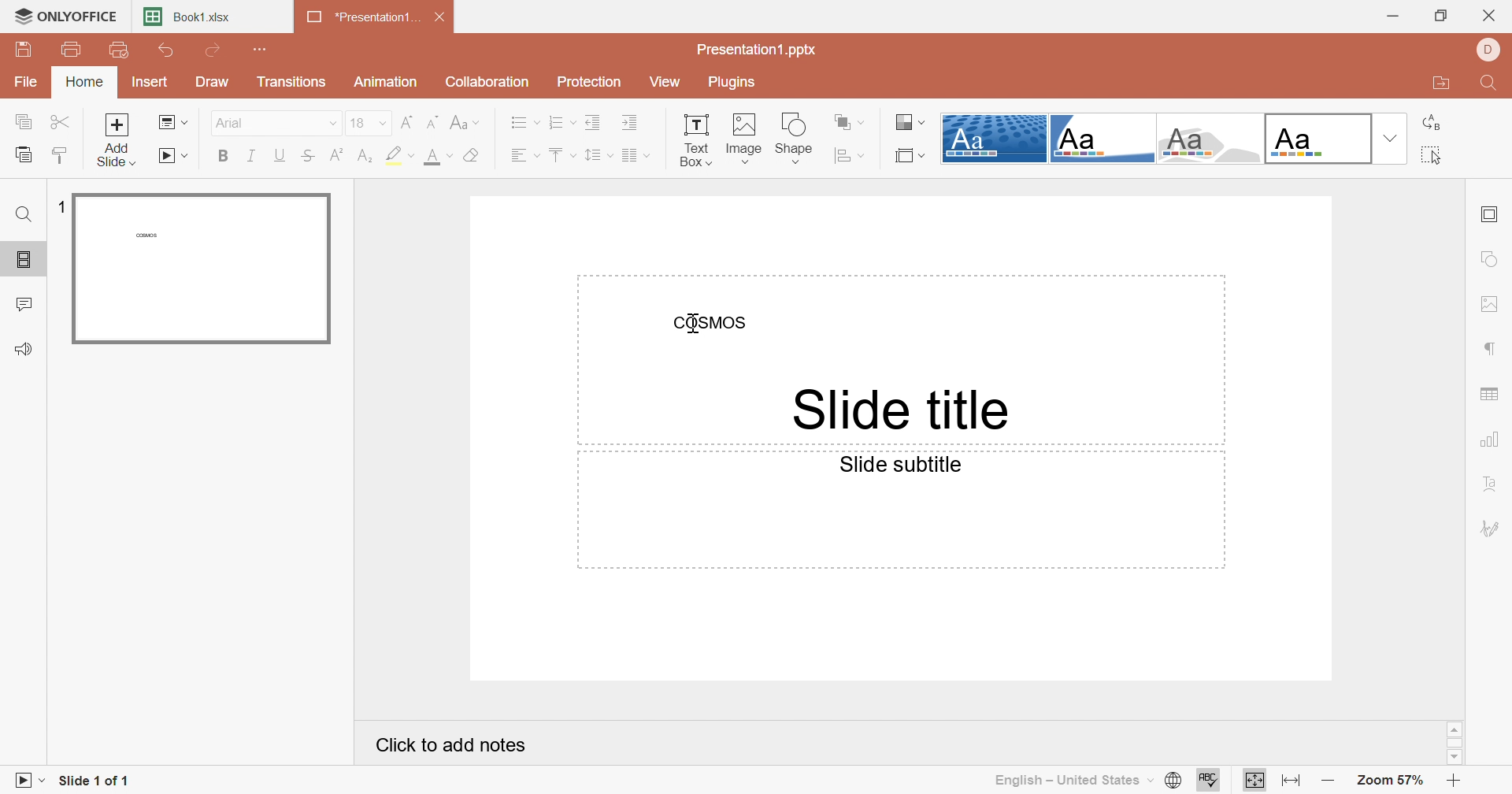  What do you see at coordinates (1488, 16) in the screenshot?
I see `Close` at bounding box center [1488, 16].